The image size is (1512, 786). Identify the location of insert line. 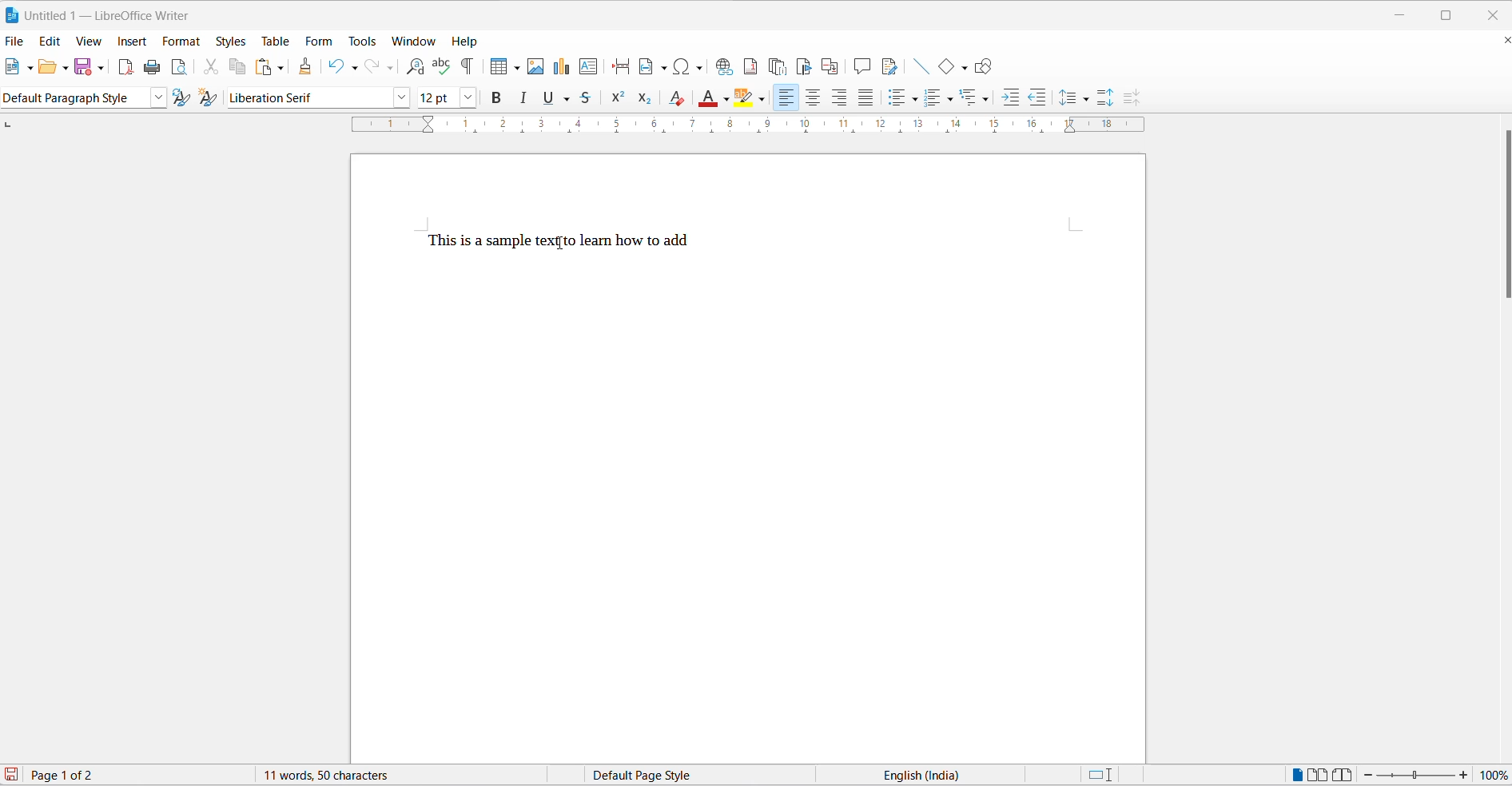
(921, 67).